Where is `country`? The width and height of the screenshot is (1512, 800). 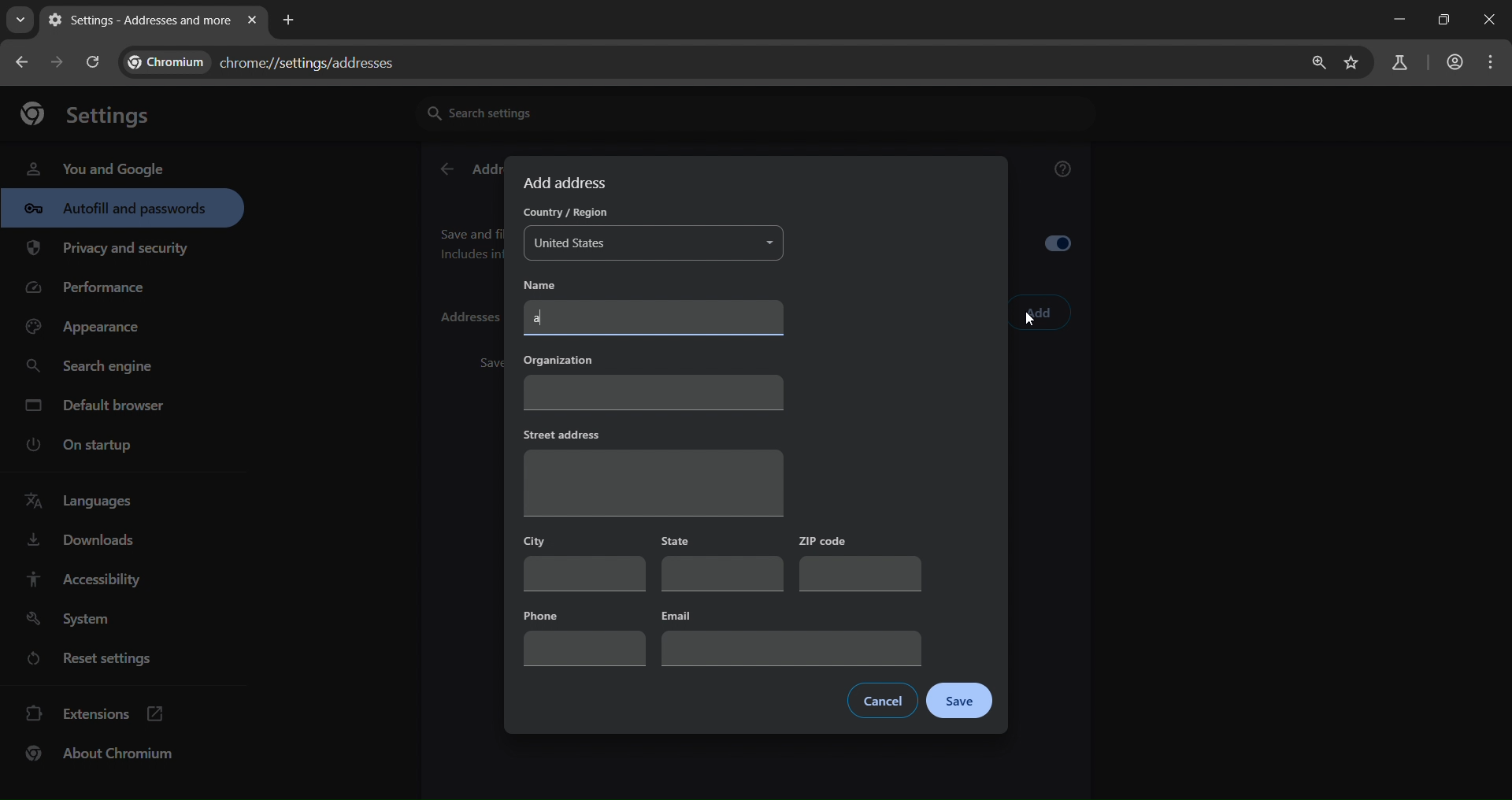 country is located at coordinates (562, 214).